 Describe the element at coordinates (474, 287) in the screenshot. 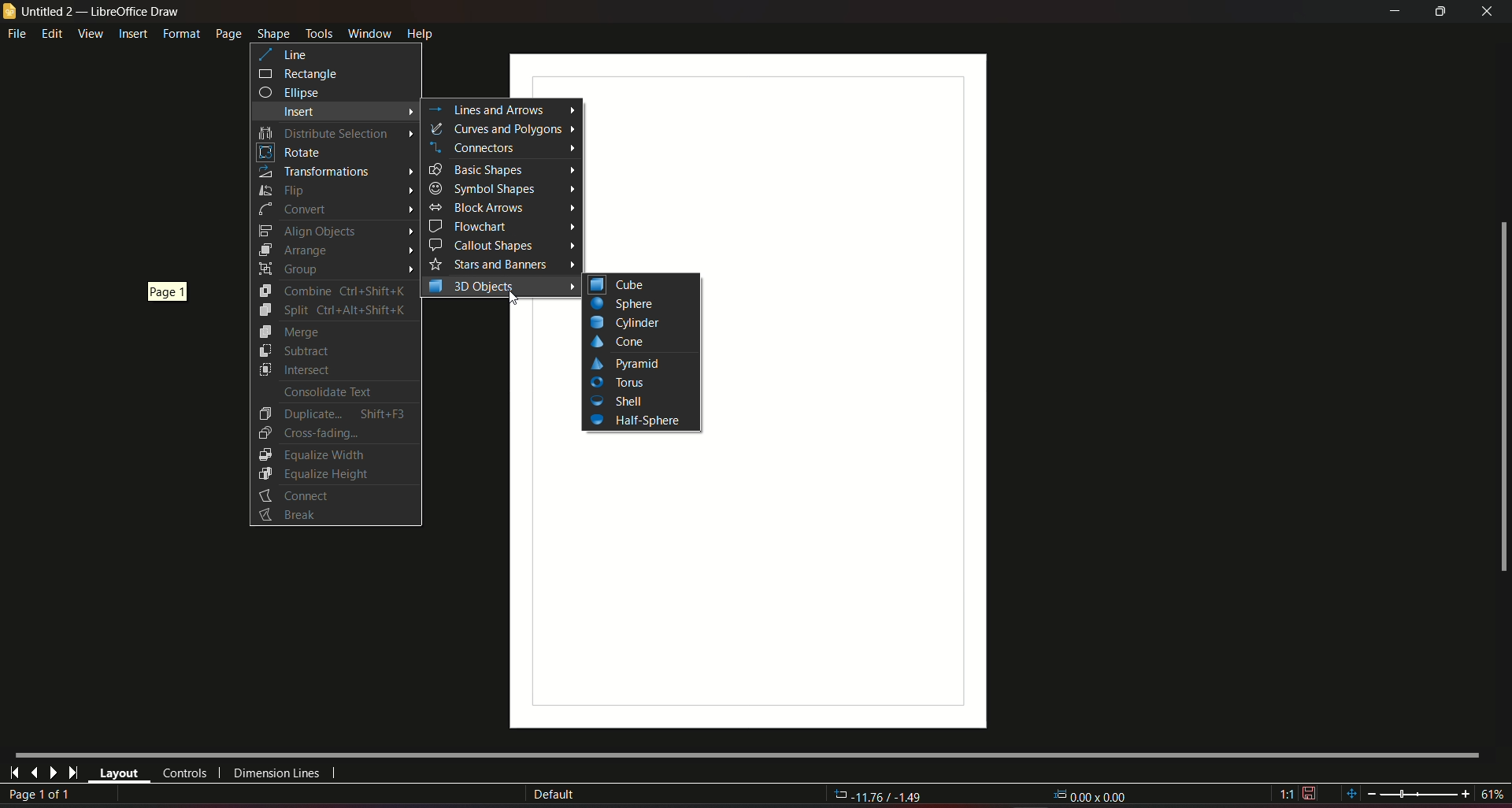

I see `3D objects` at that location.